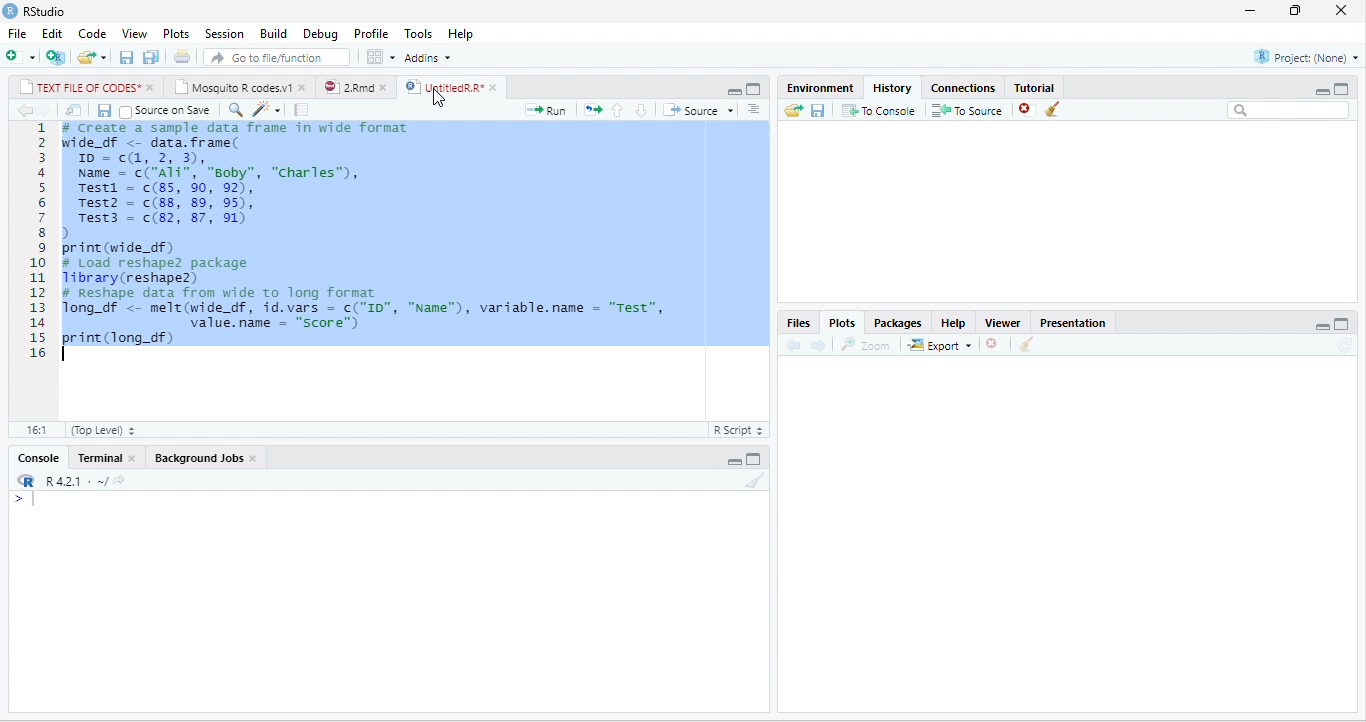  Describe the element at coordinates (1072, 323) in the screenshot. I see `Presentation` at that location.